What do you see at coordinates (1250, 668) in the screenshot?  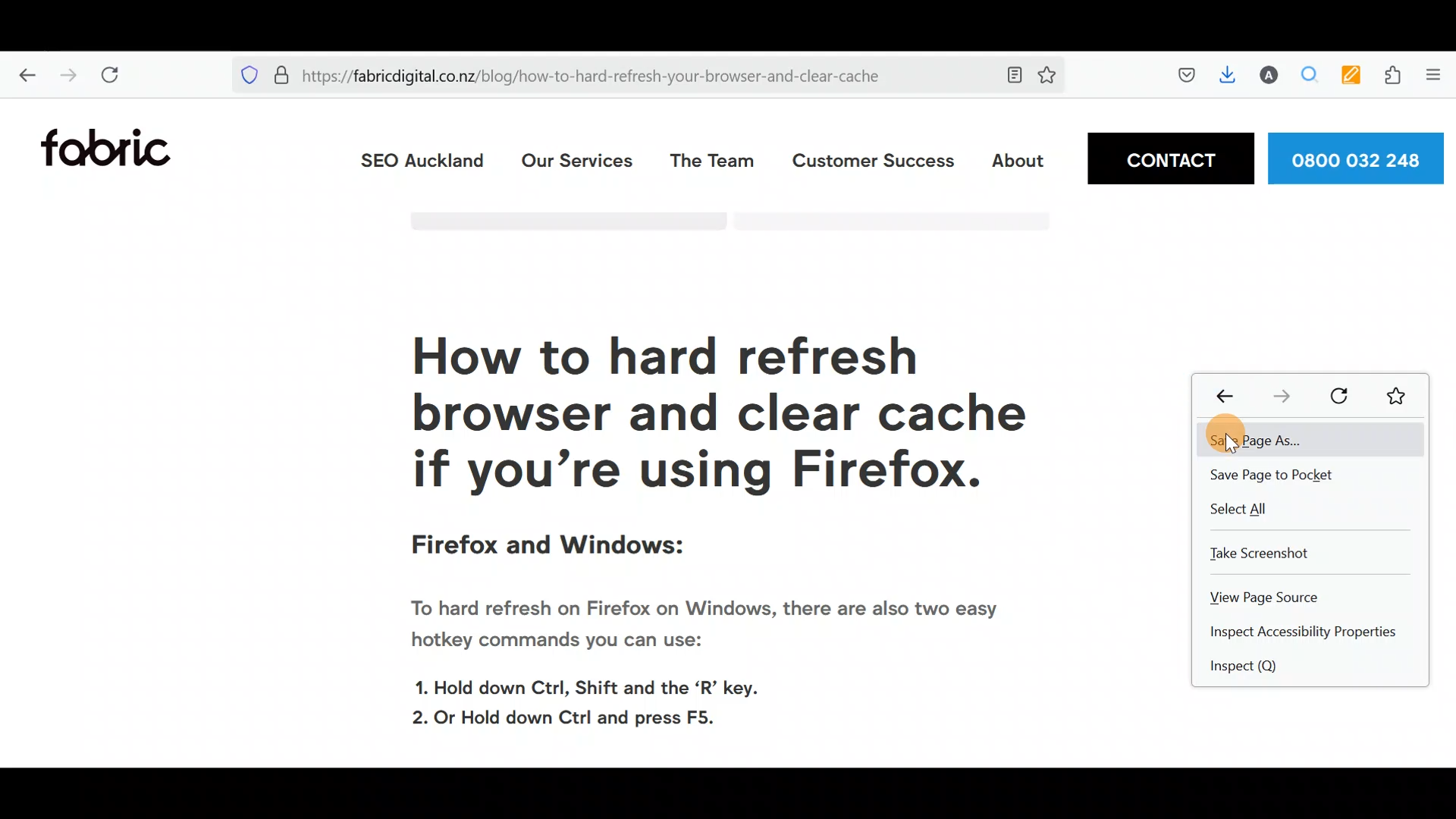 I see `Inspect` at bounding box center [1250, 668].